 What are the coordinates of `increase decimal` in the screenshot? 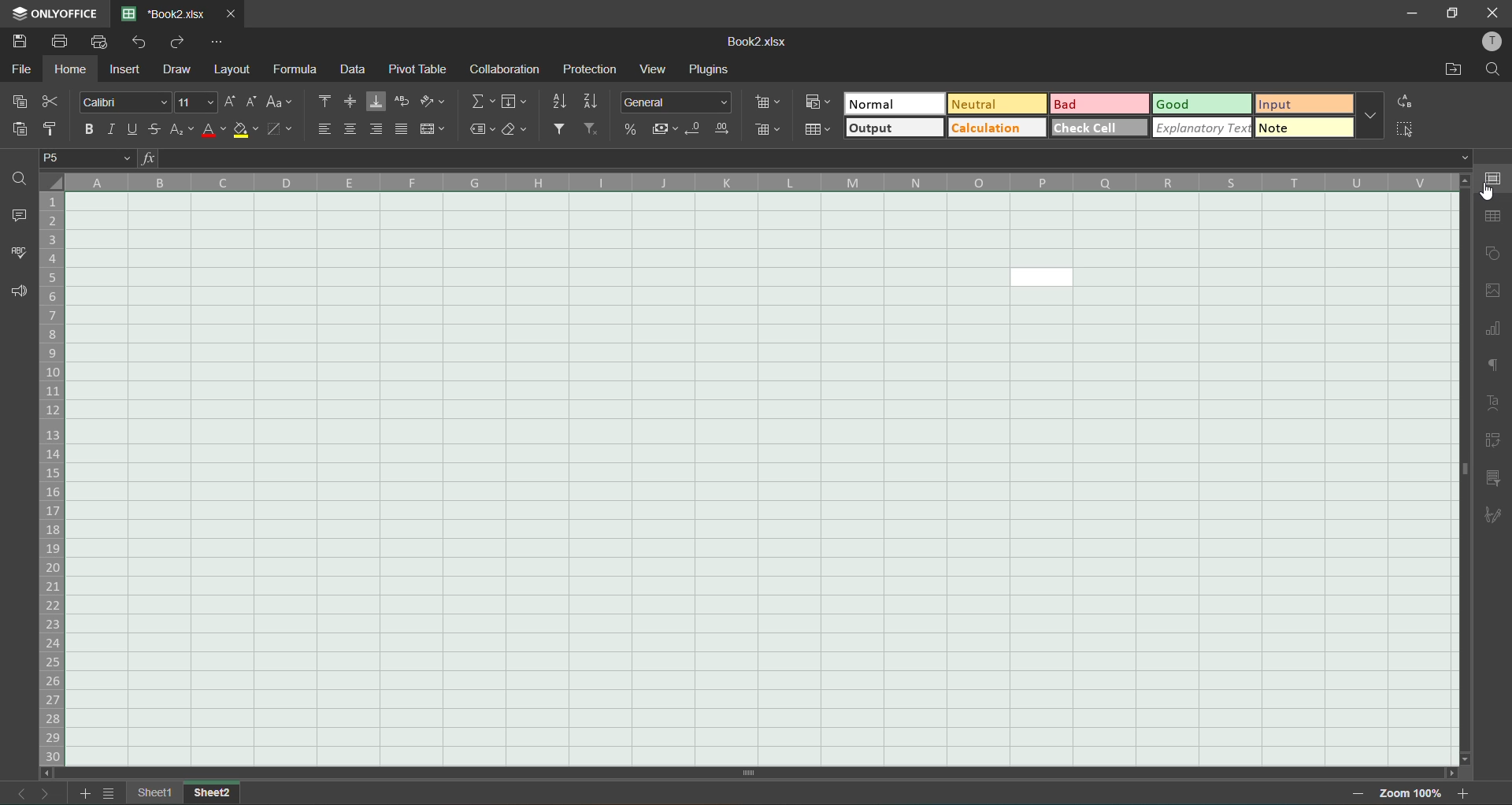 It's located at (724, 128).